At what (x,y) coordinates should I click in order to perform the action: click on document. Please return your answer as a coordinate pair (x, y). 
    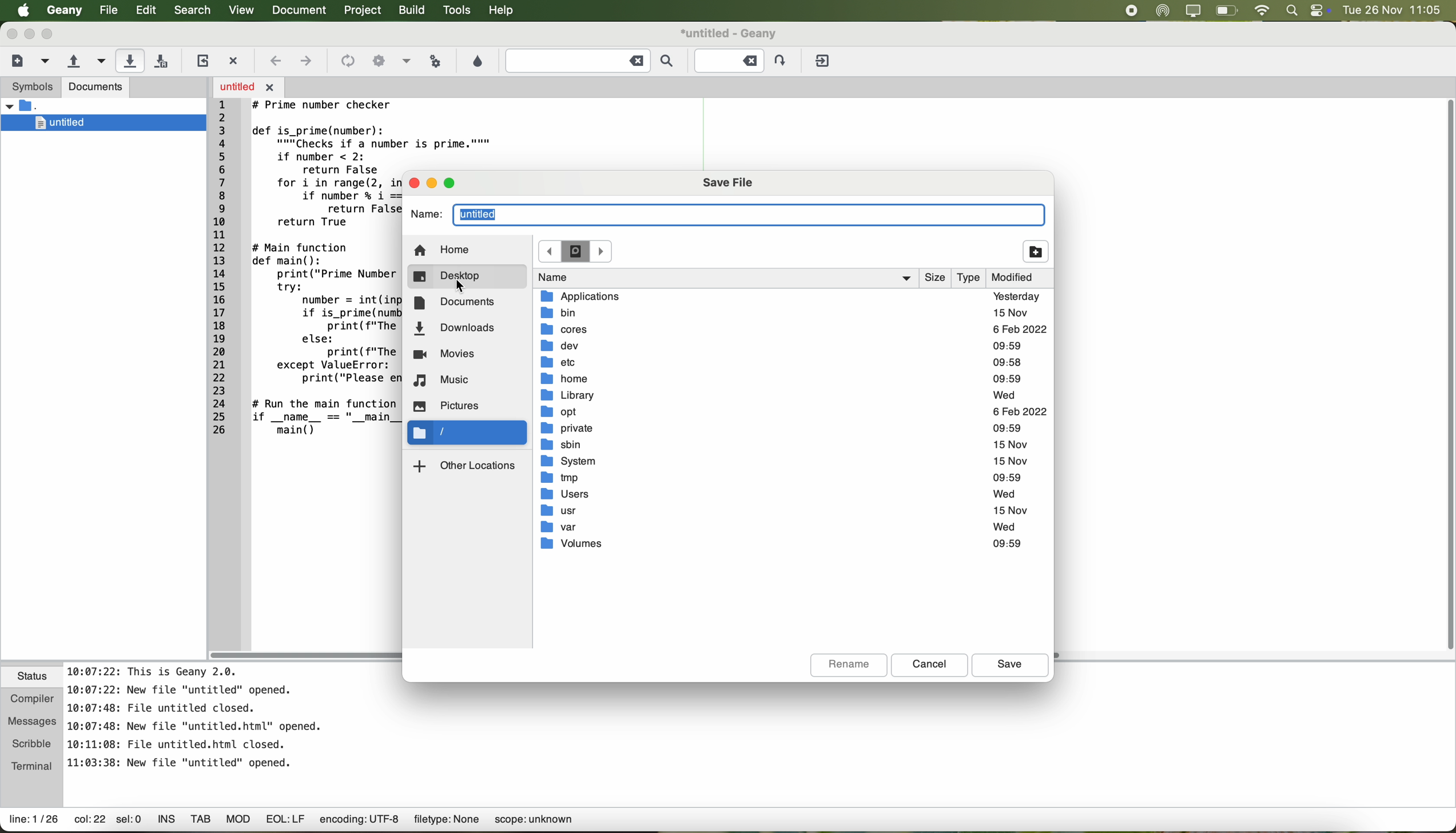
    Looking at the image, I should click on (303, 11).